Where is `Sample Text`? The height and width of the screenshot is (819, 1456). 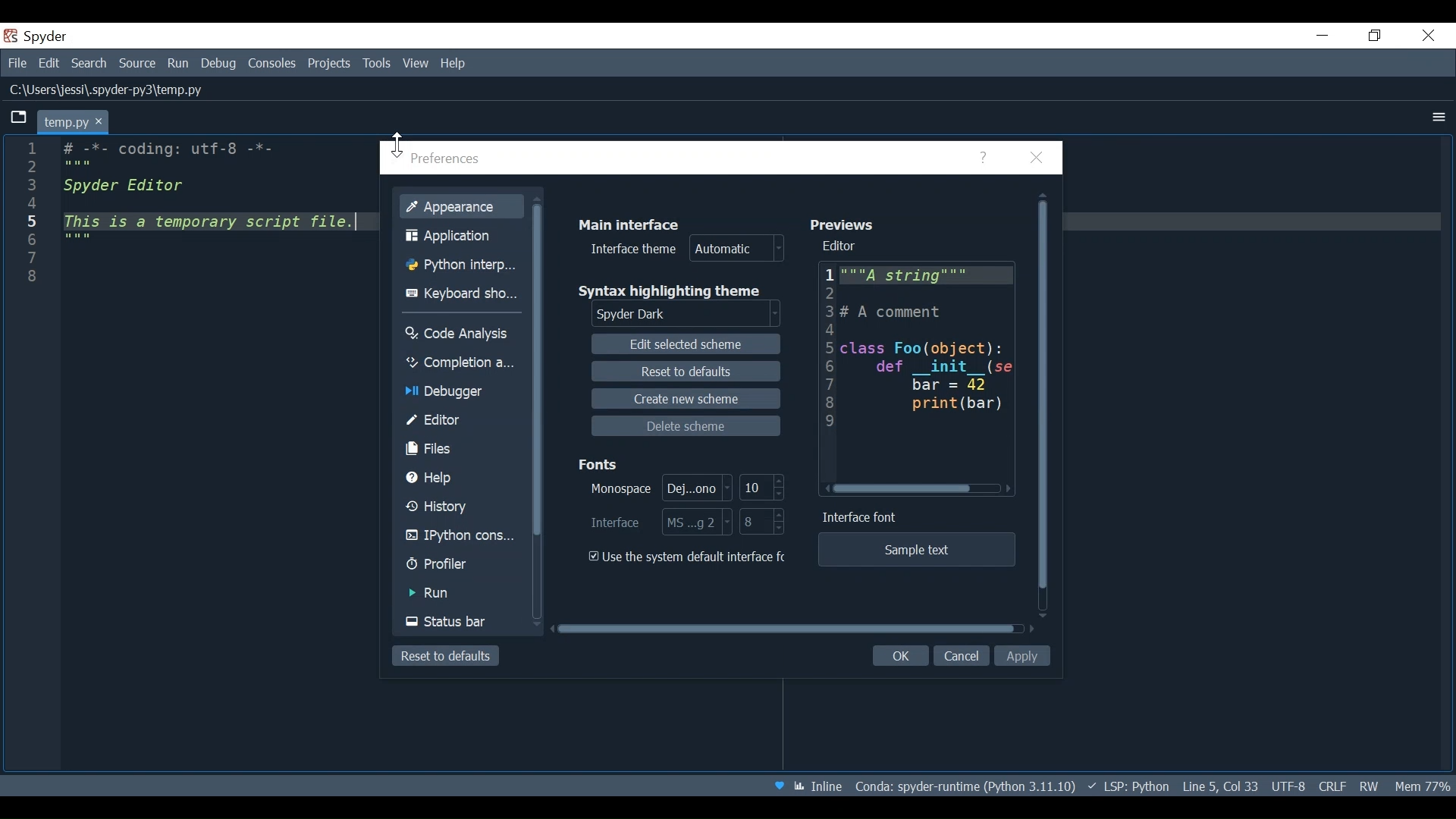
Sample Text is located at coordinates (916, 549).